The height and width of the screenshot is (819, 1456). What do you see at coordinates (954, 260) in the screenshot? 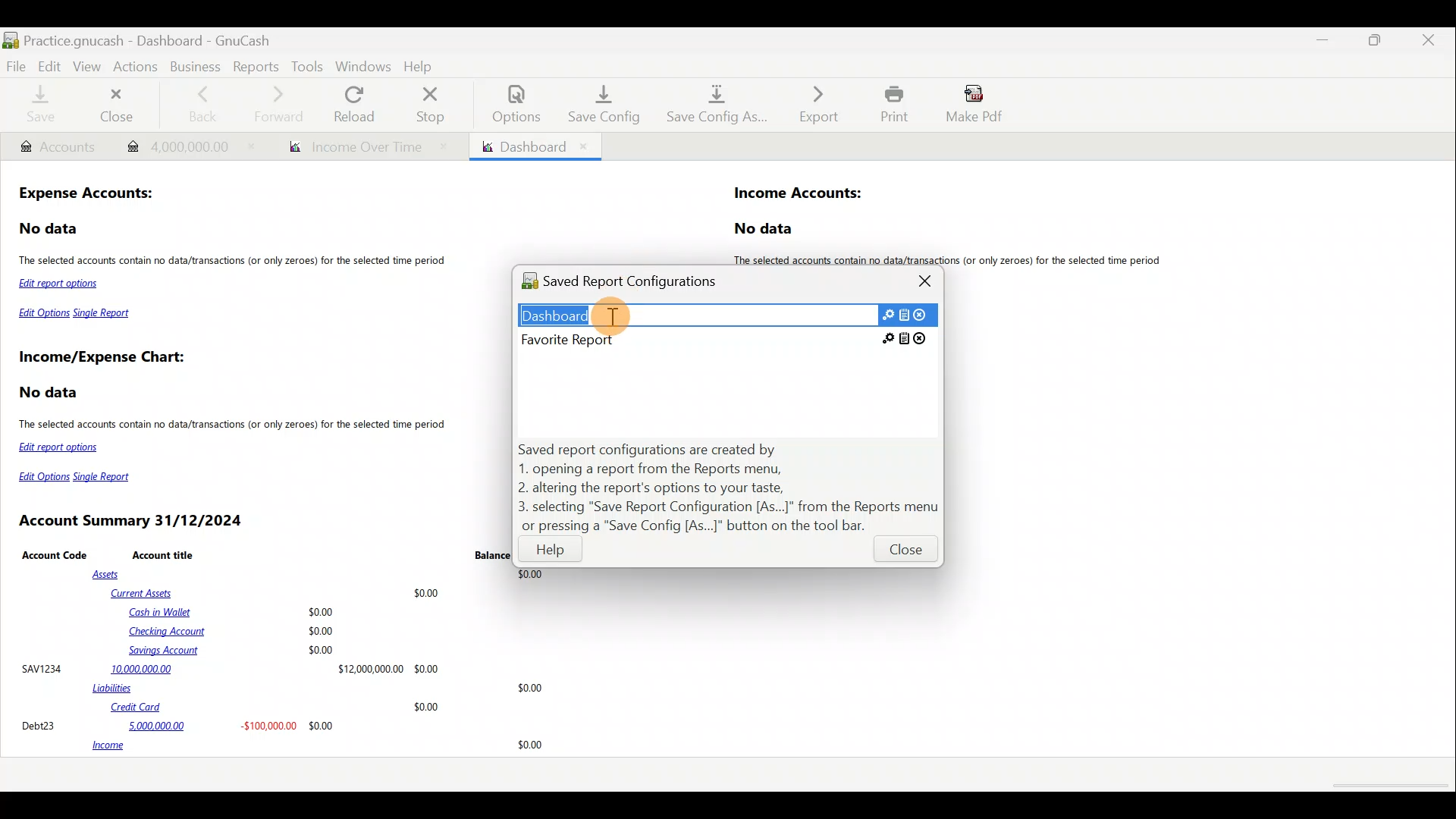
I see `The selected accounts contain no data/transactions (or only zeroes) for the selected time period` at bounding box center [954, 260].